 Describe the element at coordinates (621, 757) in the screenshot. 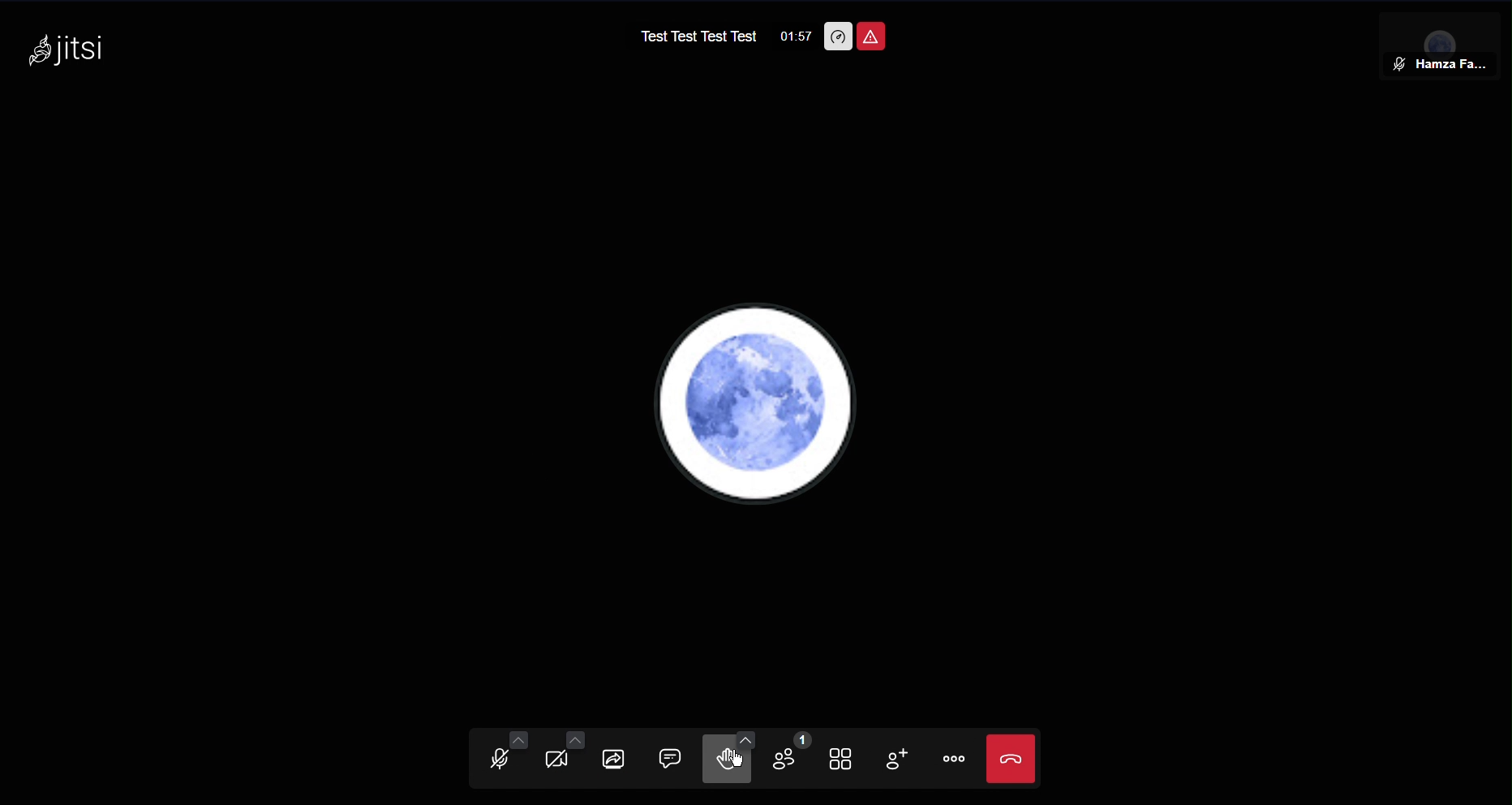

I see `Share Screen` at that location.